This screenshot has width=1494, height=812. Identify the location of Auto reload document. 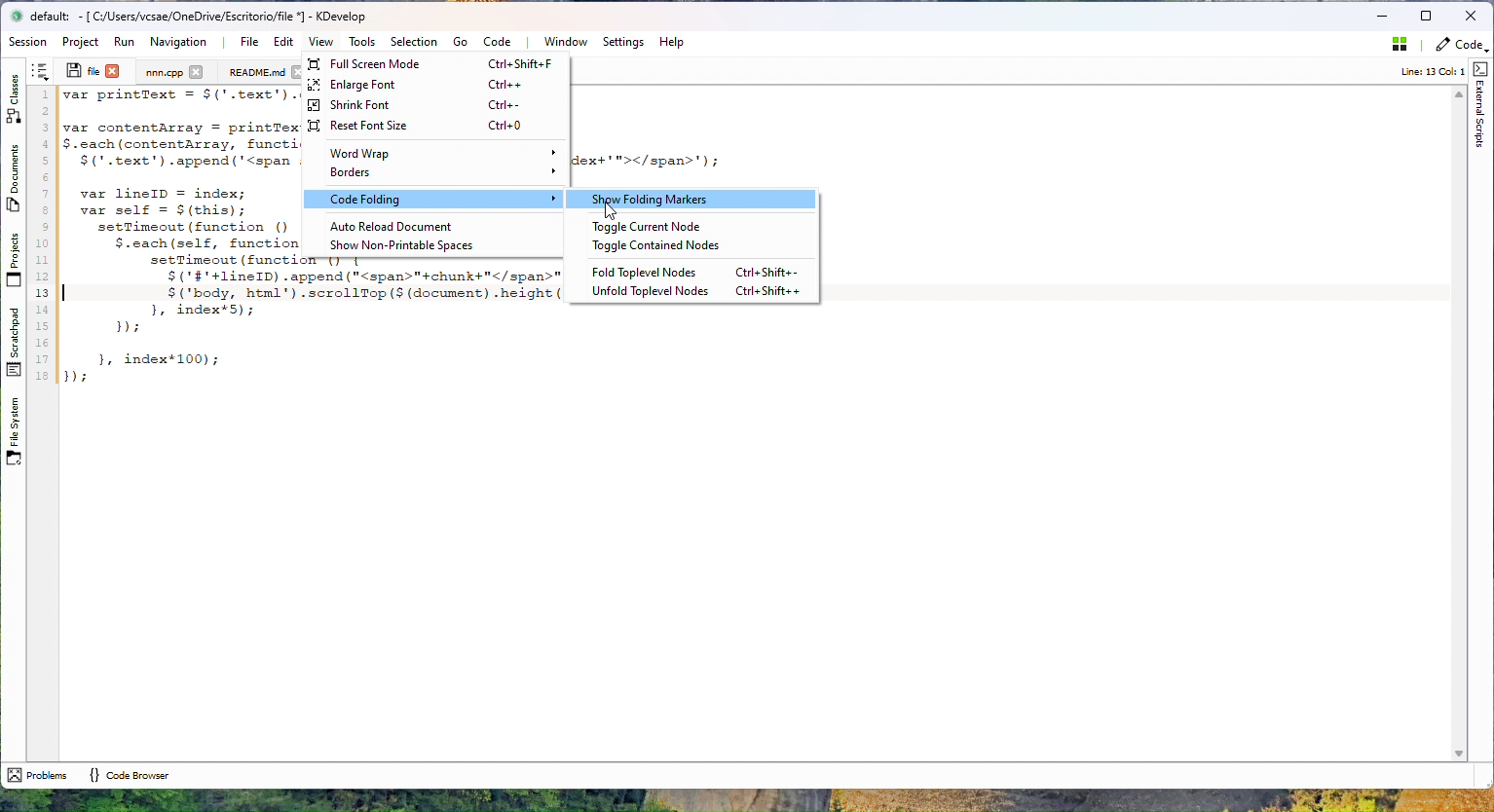
(431, 226).